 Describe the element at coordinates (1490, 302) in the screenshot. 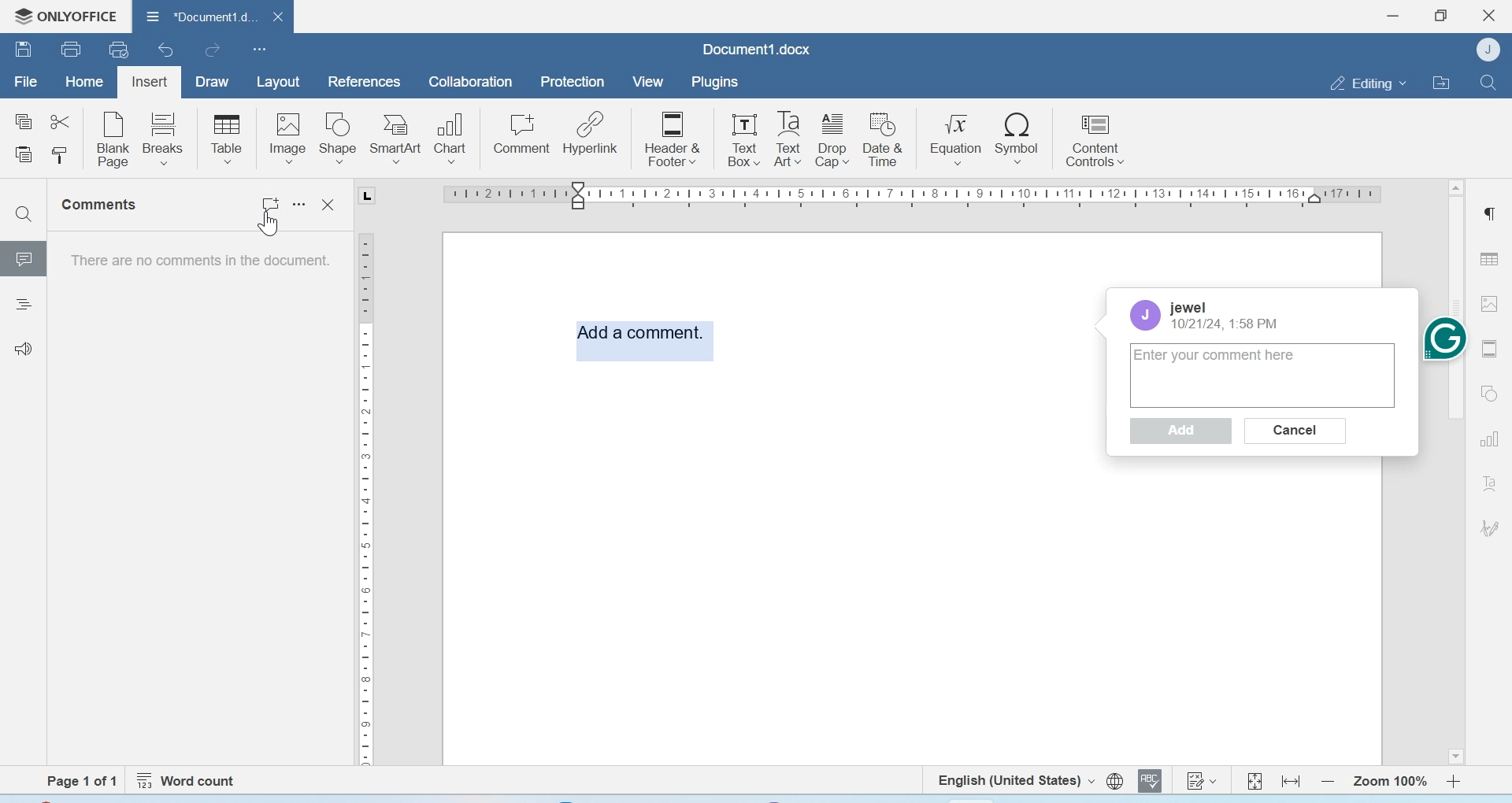

I see `Image` at that location.